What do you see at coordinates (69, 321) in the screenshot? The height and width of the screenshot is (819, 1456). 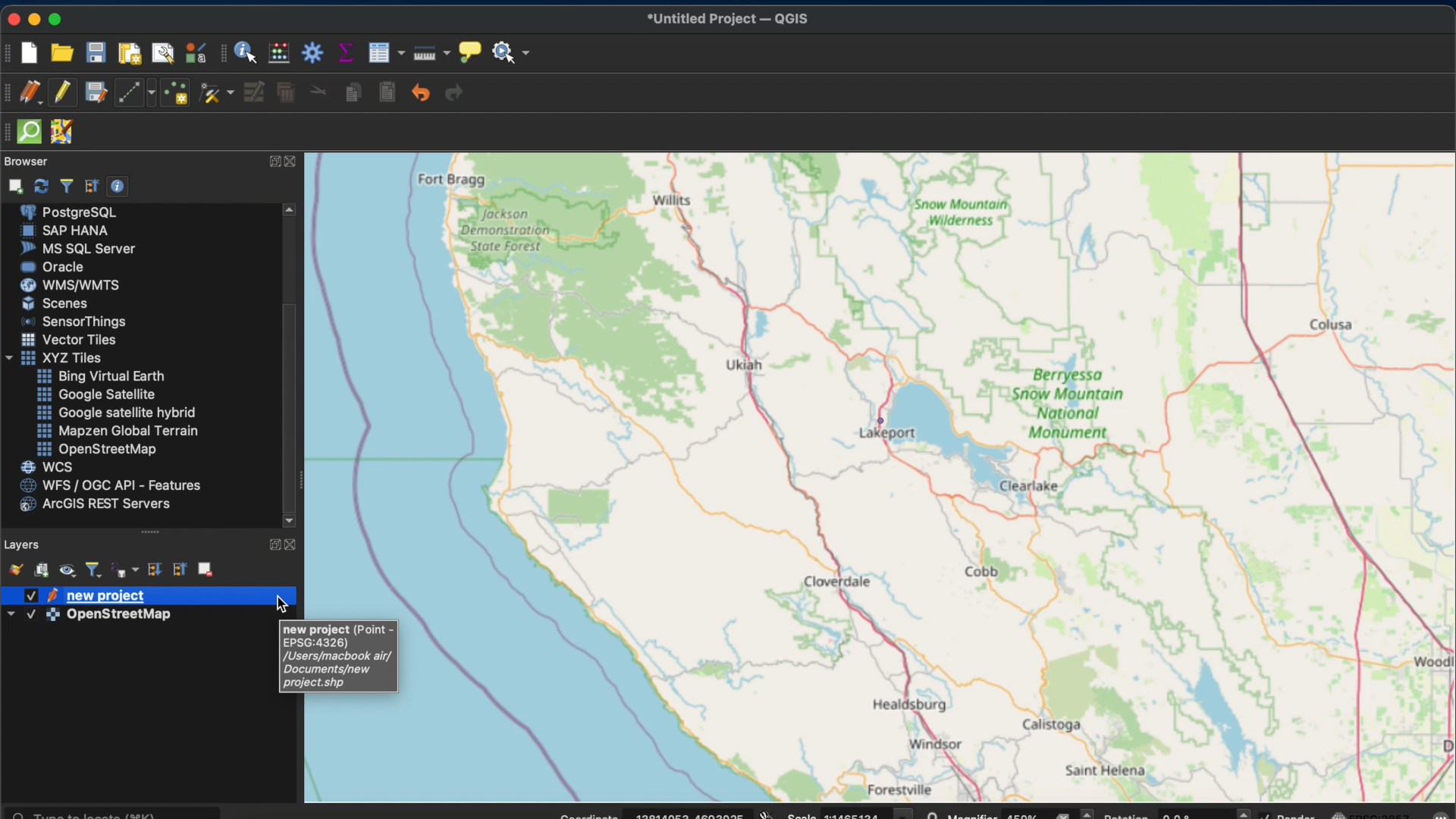 I see `sensor. things` at bounding box center [69, 321].